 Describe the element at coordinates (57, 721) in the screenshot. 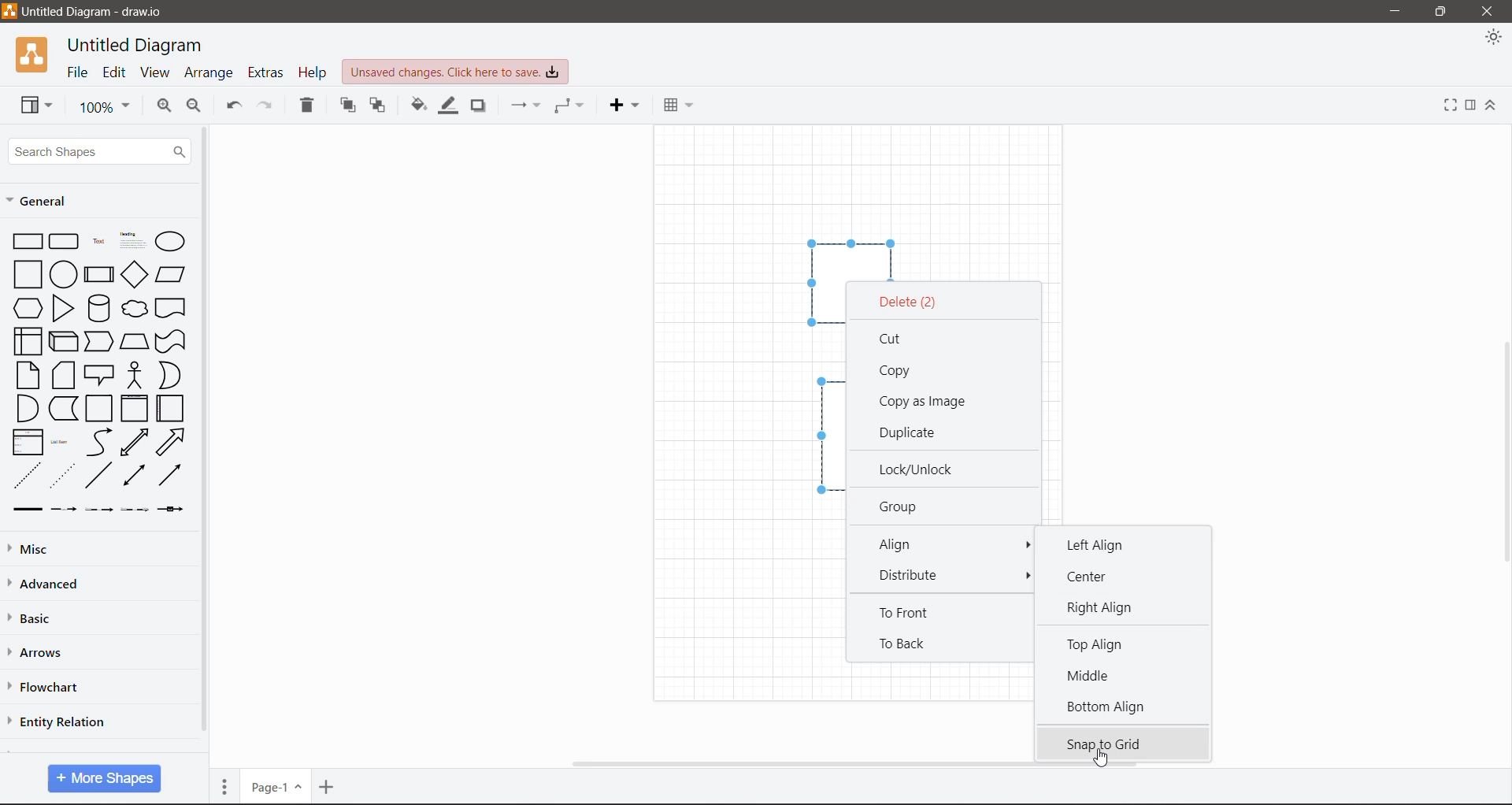

I see `Entity Relation` at that location.